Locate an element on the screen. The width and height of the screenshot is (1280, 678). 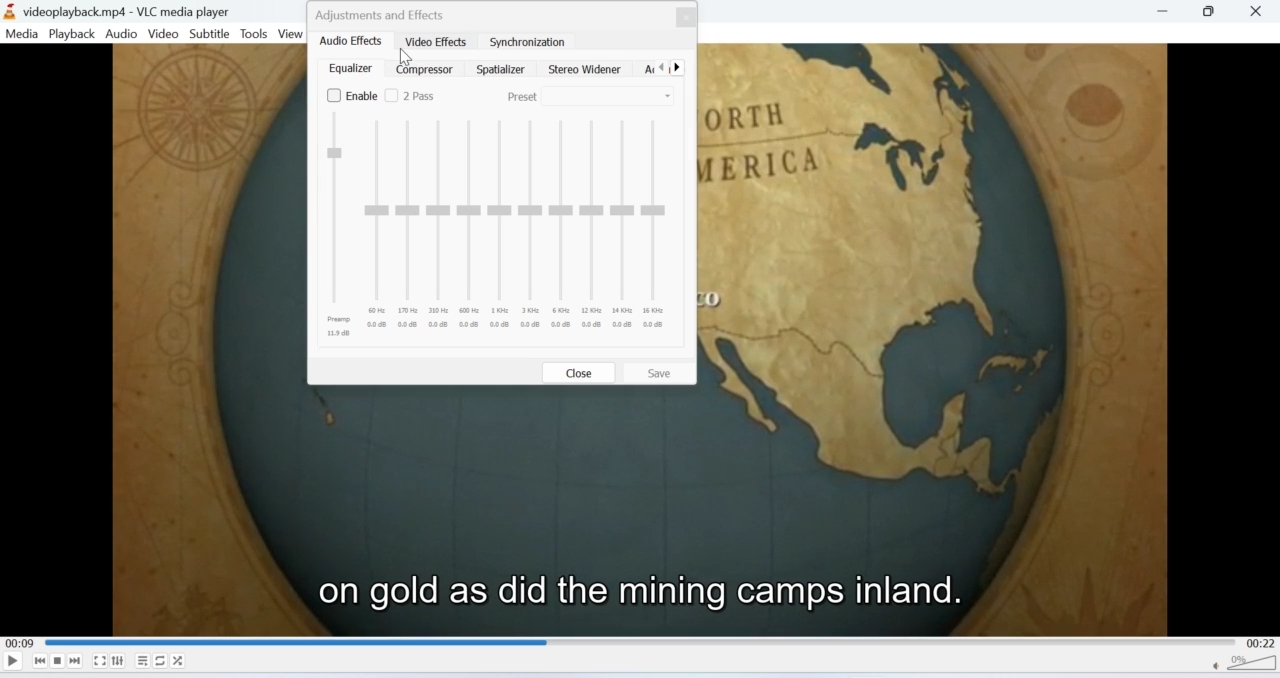
2 pass is located at coordinates (408, 97).